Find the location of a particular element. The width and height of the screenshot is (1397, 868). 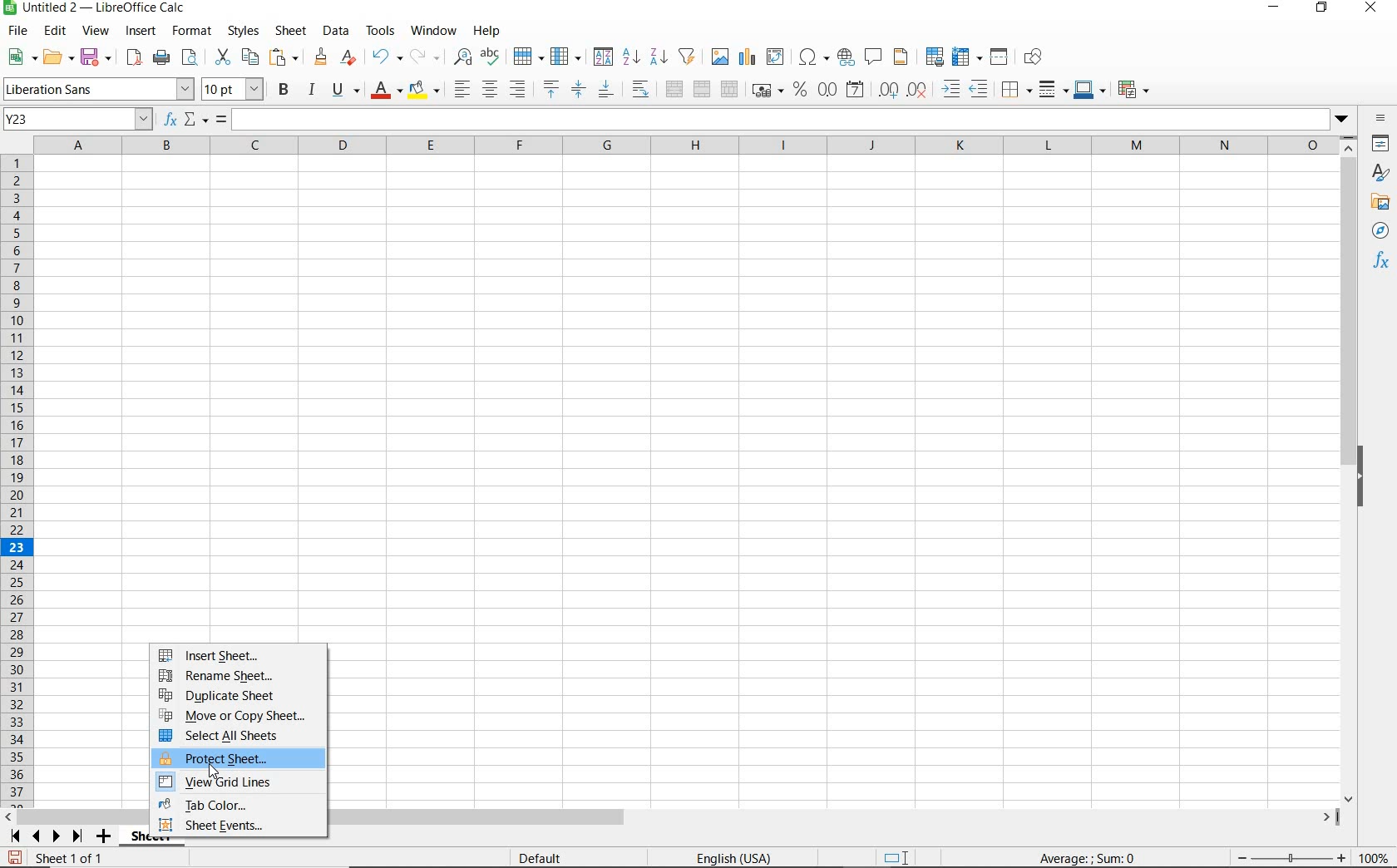

ITALIC is located at coordinates (313, 91).